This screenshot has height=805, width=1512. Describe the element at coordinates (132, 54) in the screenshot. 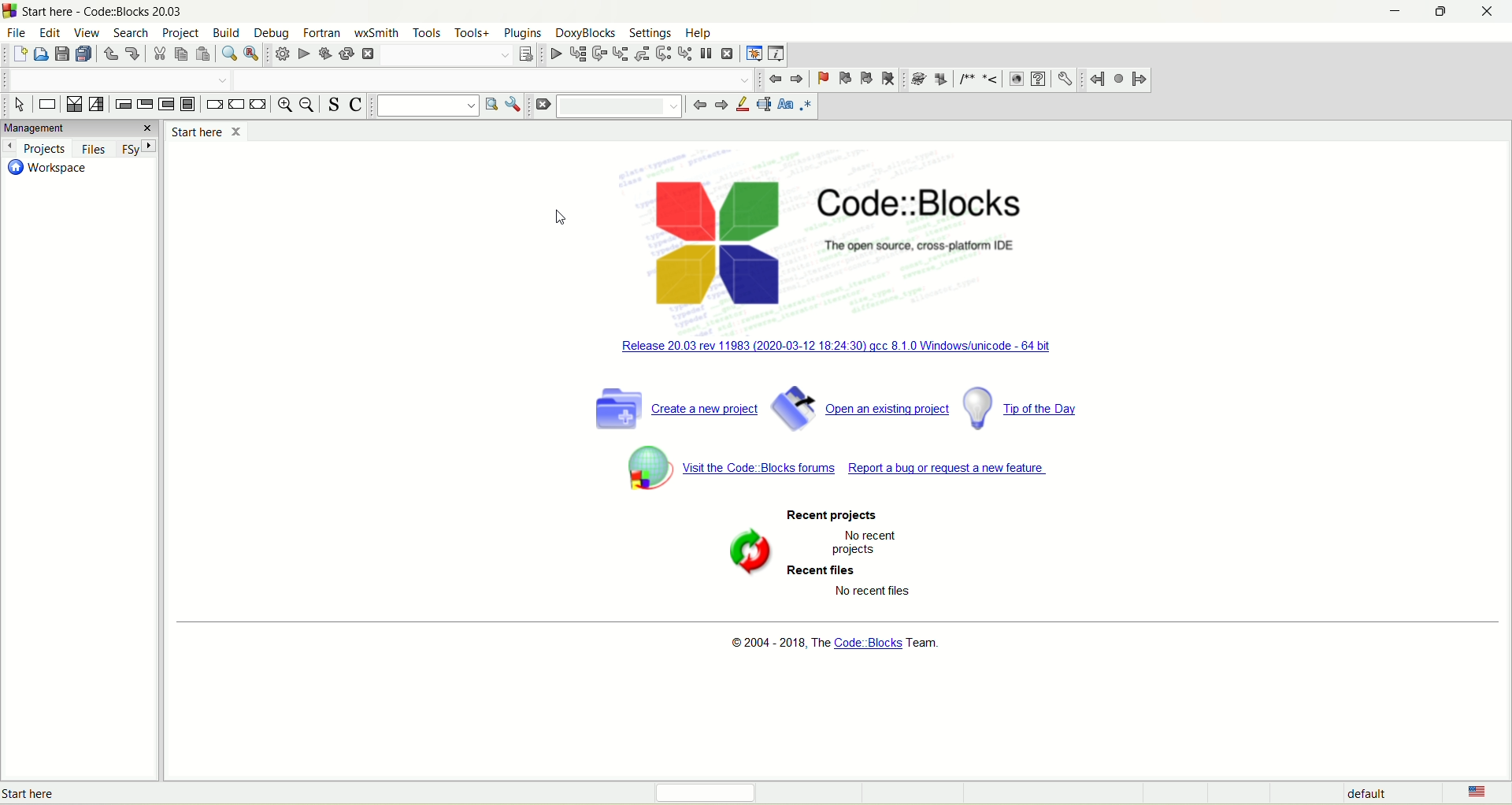

I see `redo` at that location.